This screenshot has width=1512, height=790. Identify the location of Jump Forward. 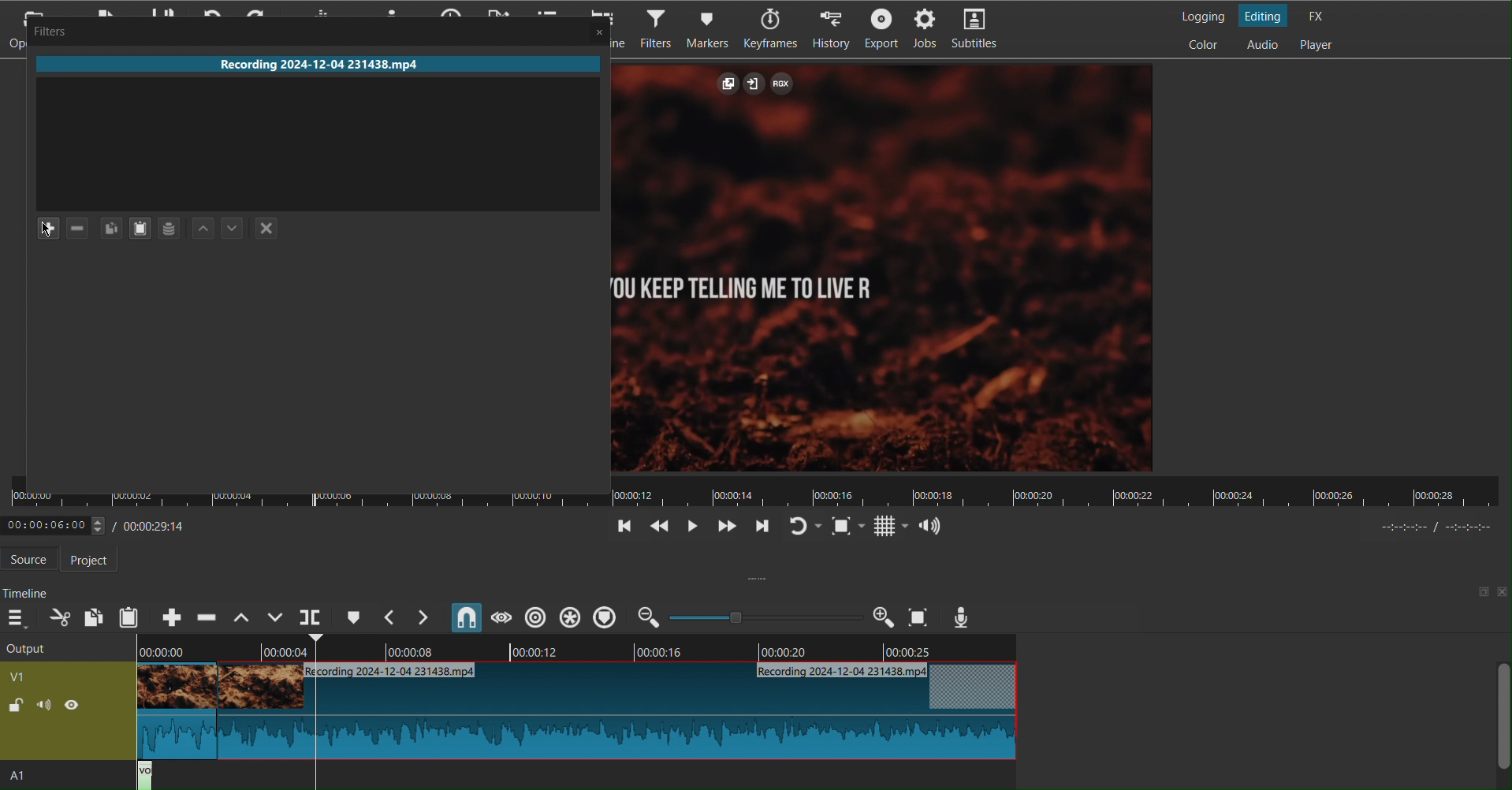
(761, 528).